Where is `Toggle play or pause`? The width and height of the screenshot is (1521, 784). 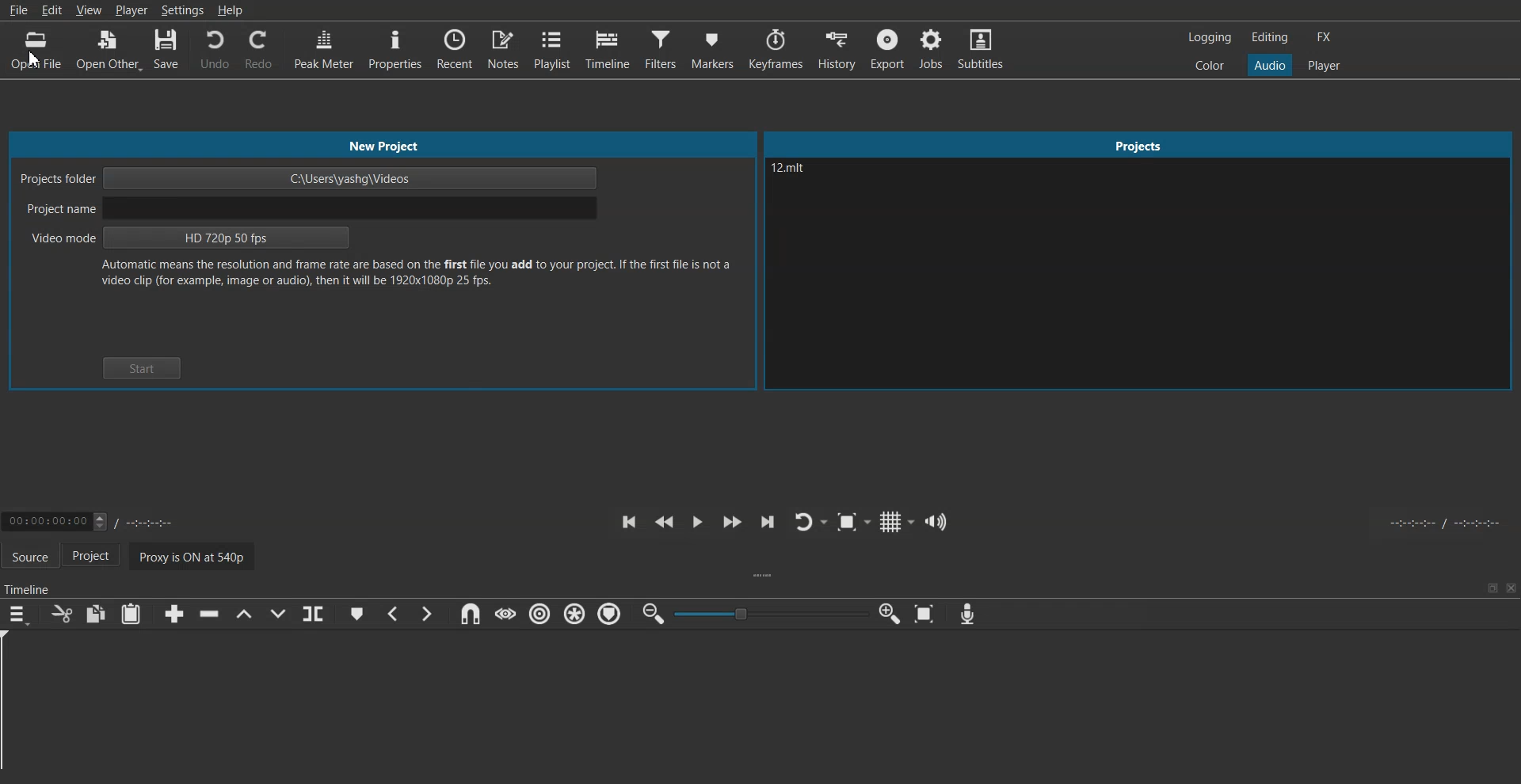 Toggle play or pause is located at coordinates (697, 522).